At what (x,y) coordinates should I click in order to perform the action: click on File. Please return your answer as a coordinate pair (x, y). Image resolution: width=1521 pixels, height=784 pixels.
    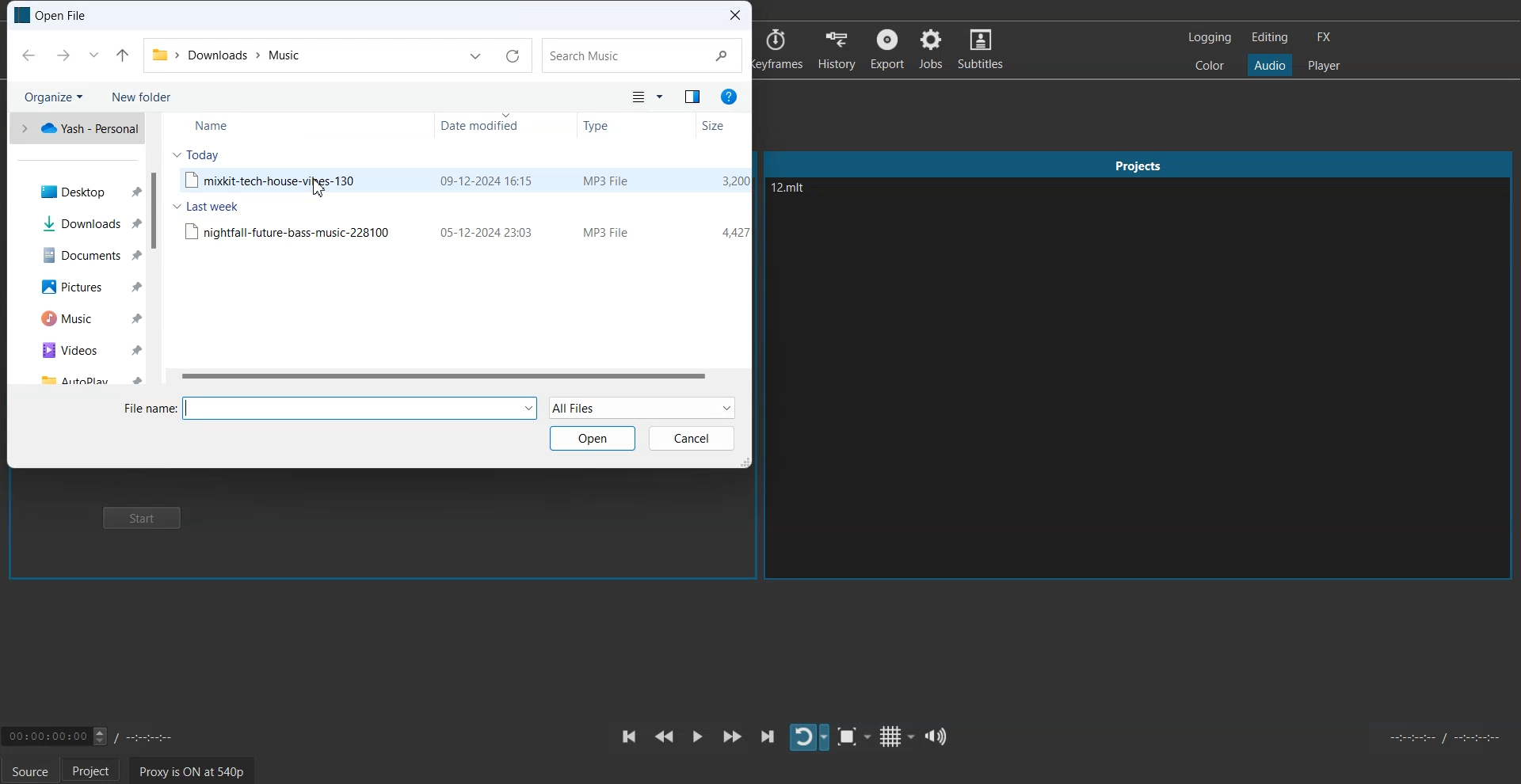
    Looking at the image, I should click on (463, 230).